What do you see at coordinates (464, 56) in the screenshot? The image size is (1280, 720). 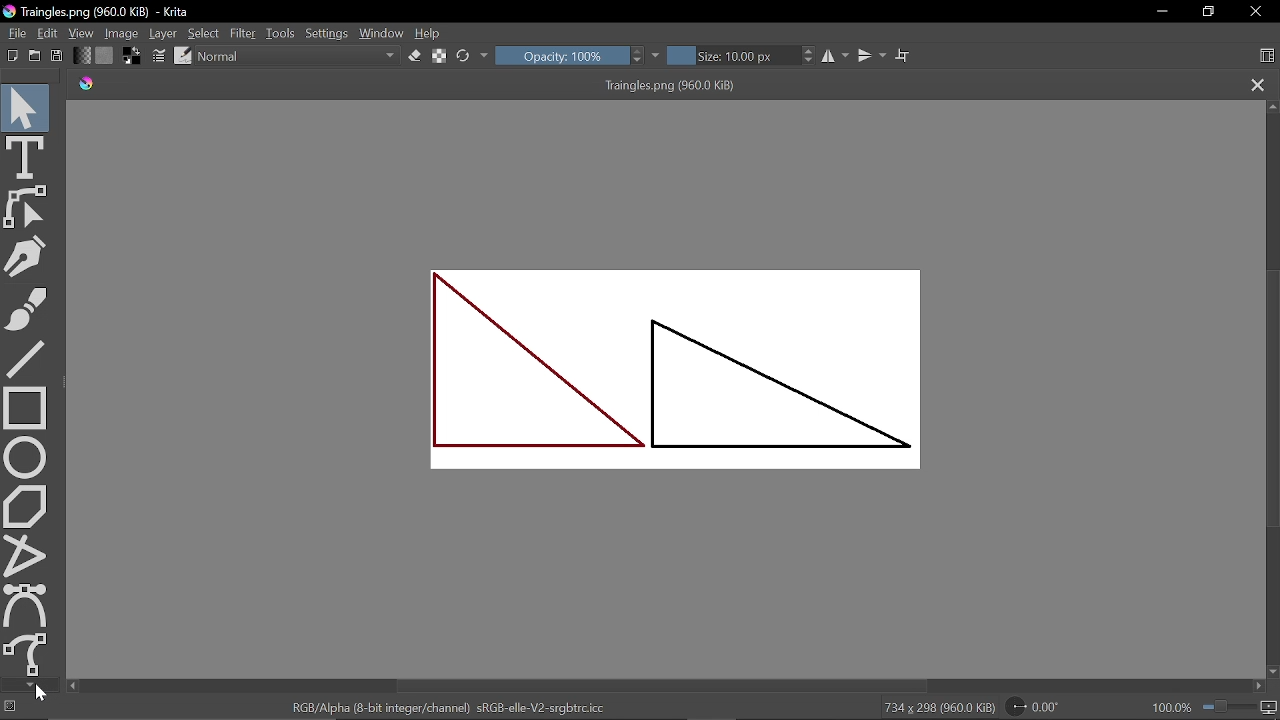 I see `Reload original preset` at bounding box center [464, 56].